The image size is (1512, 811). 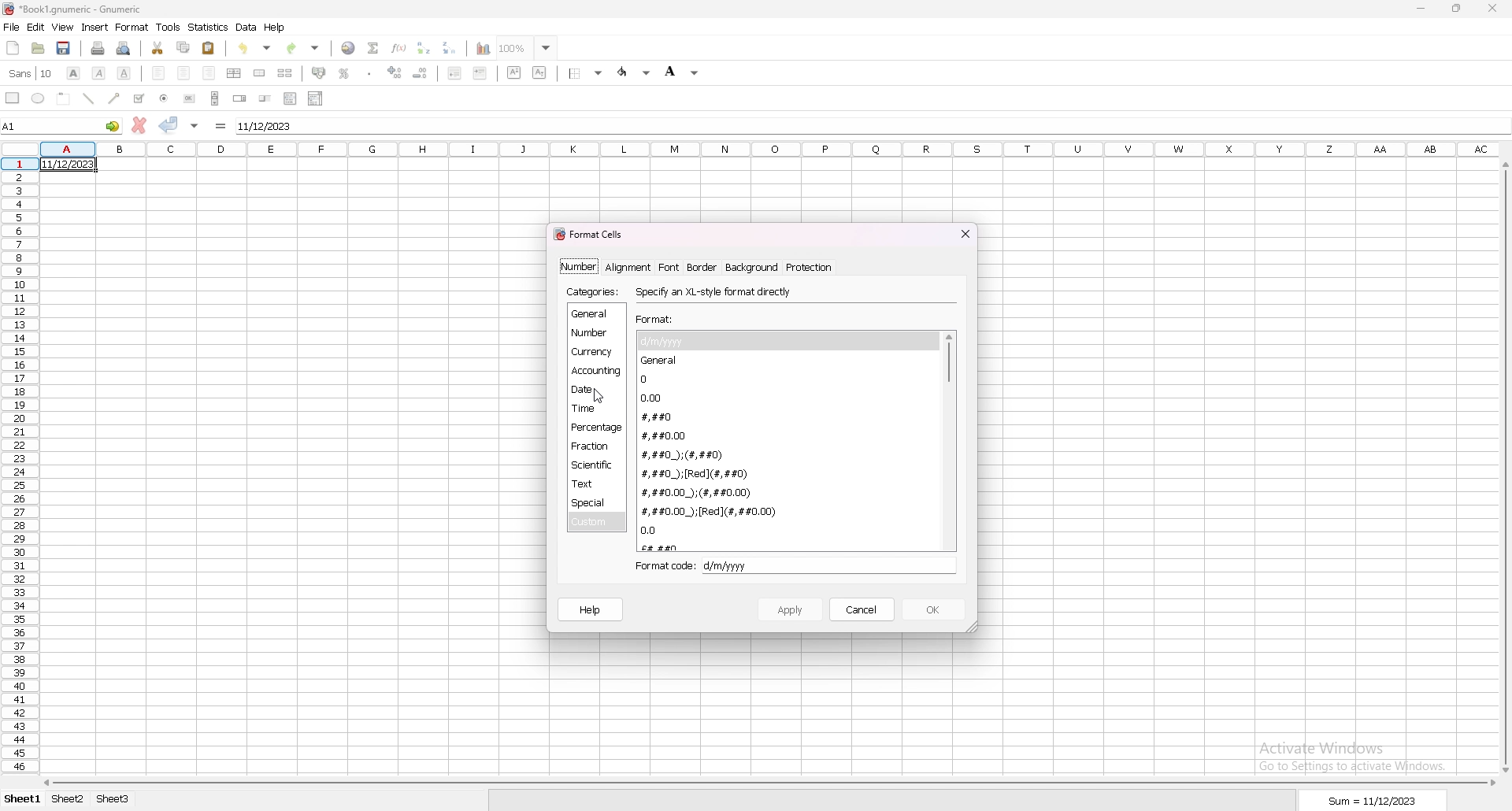 I want to click on centre horizontally, so click(x=234, y=73).